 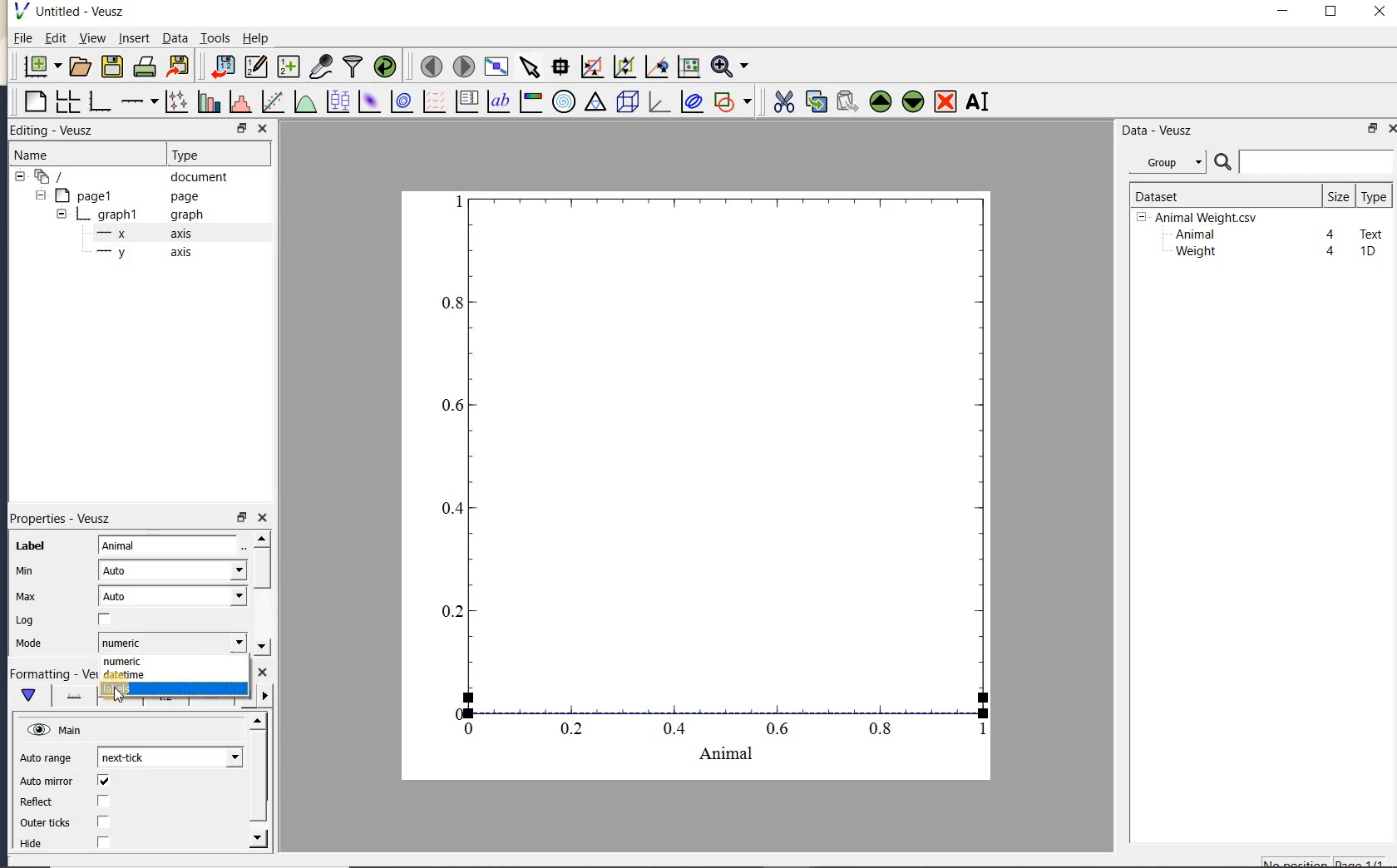 What do you see at coordinates (289, 65) in the screenshot?
I see `create new datasets` at bounding box center [289, 65].